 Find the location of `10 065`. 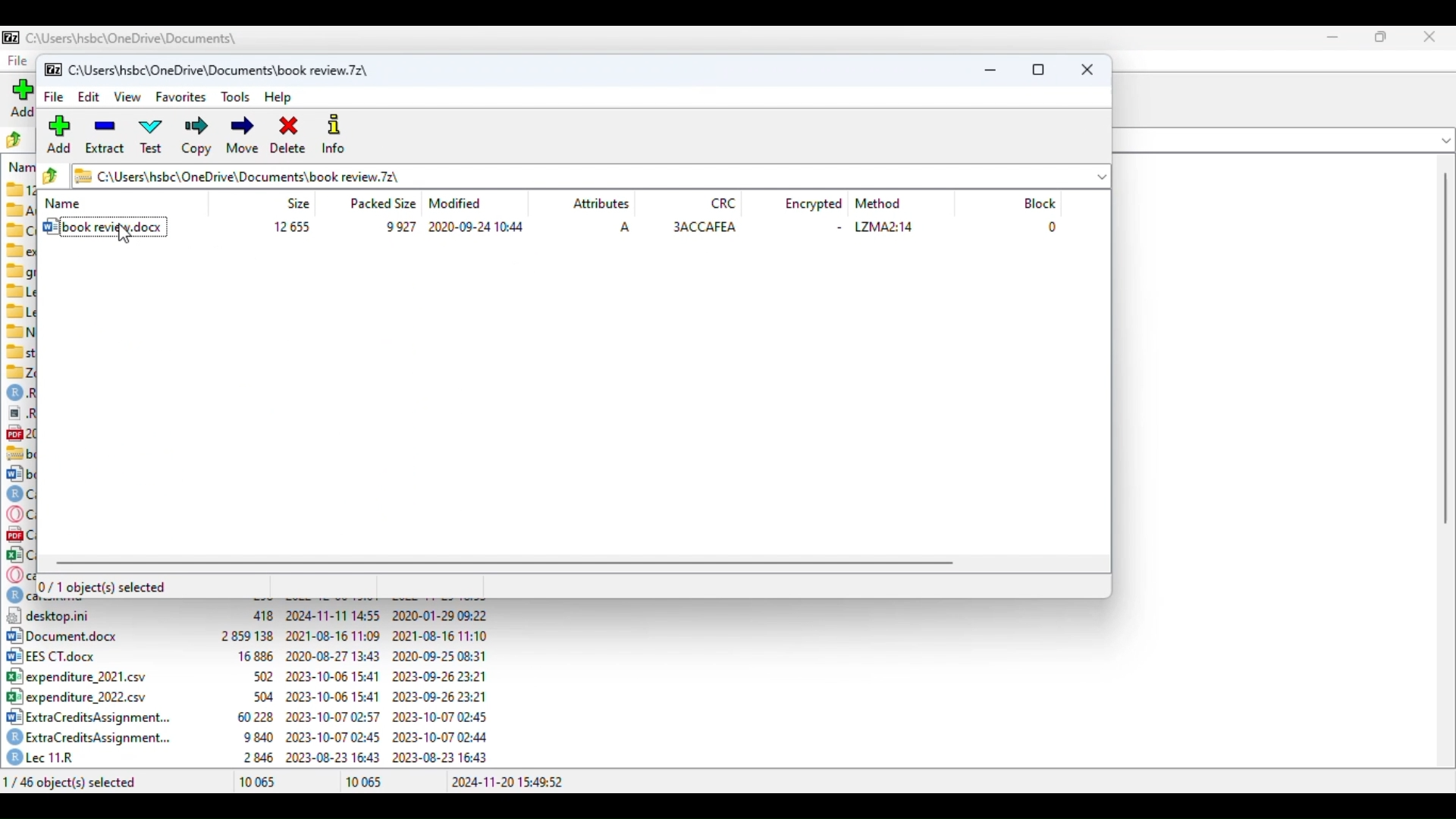

10 065 is located at coordinates (365, 783).